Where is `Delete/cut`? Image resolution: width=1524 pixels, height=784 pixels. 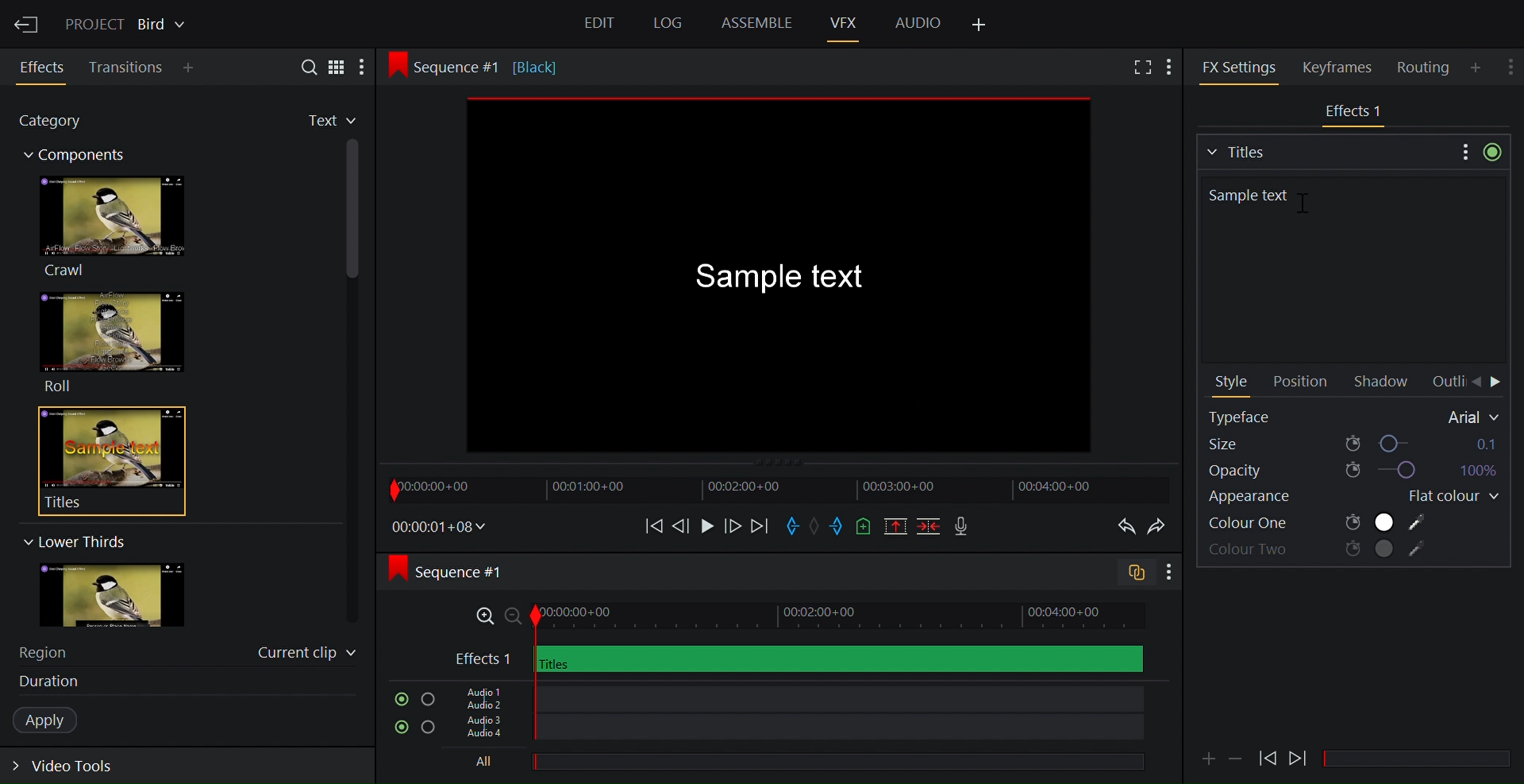
Delete/cut is located at coordinates (930, 528).